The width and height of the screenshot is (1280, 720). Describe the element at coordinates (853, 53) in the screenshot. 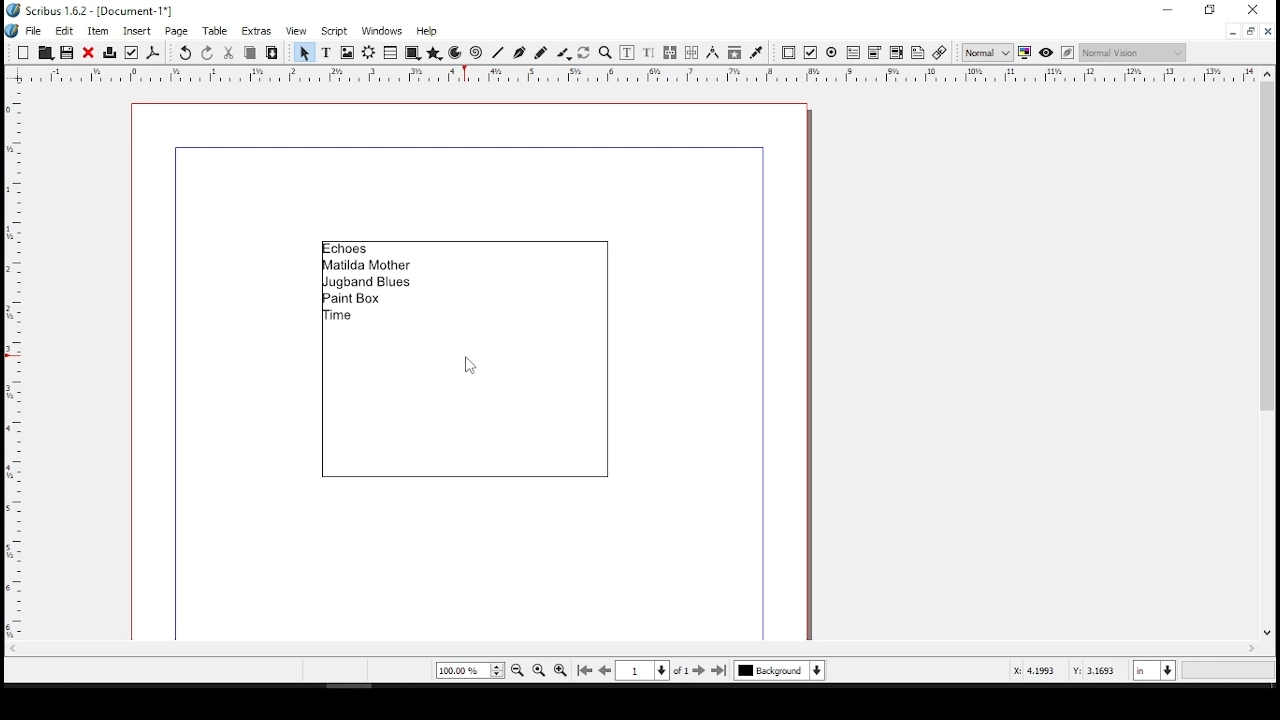

I see `pdf text field` at that location.